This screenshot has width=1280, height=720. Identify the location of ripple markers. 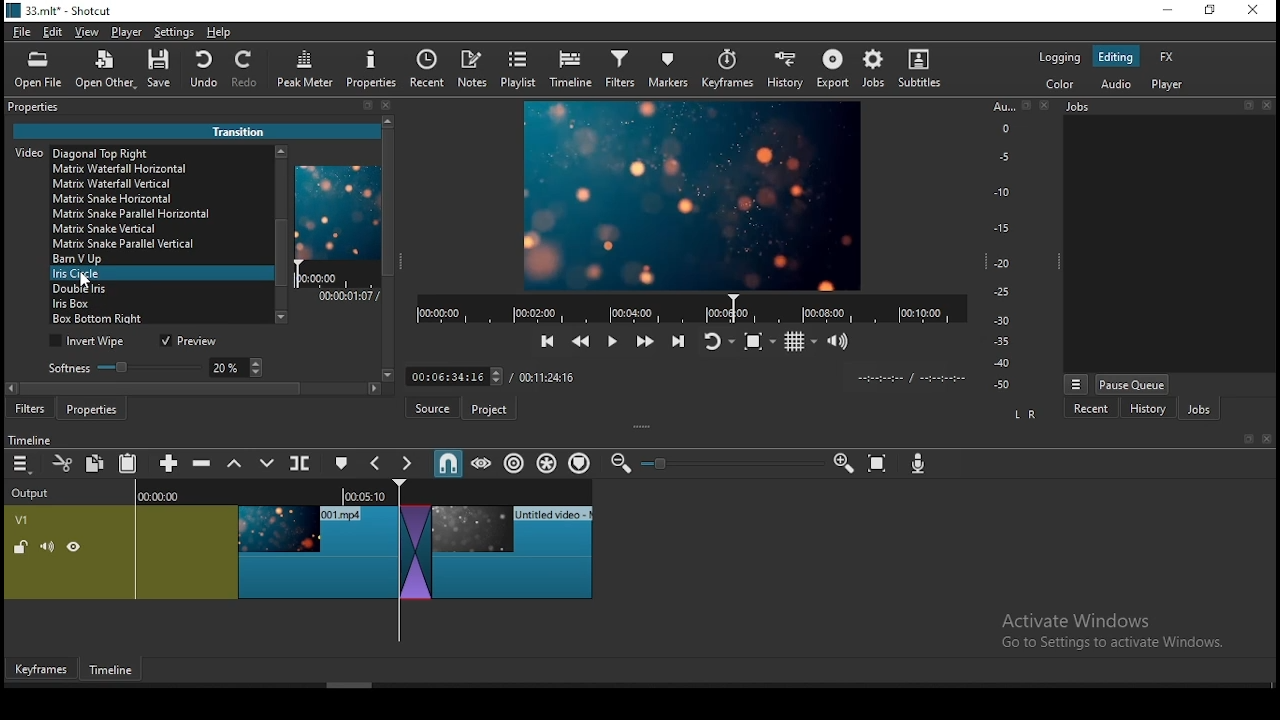
(579, 463).